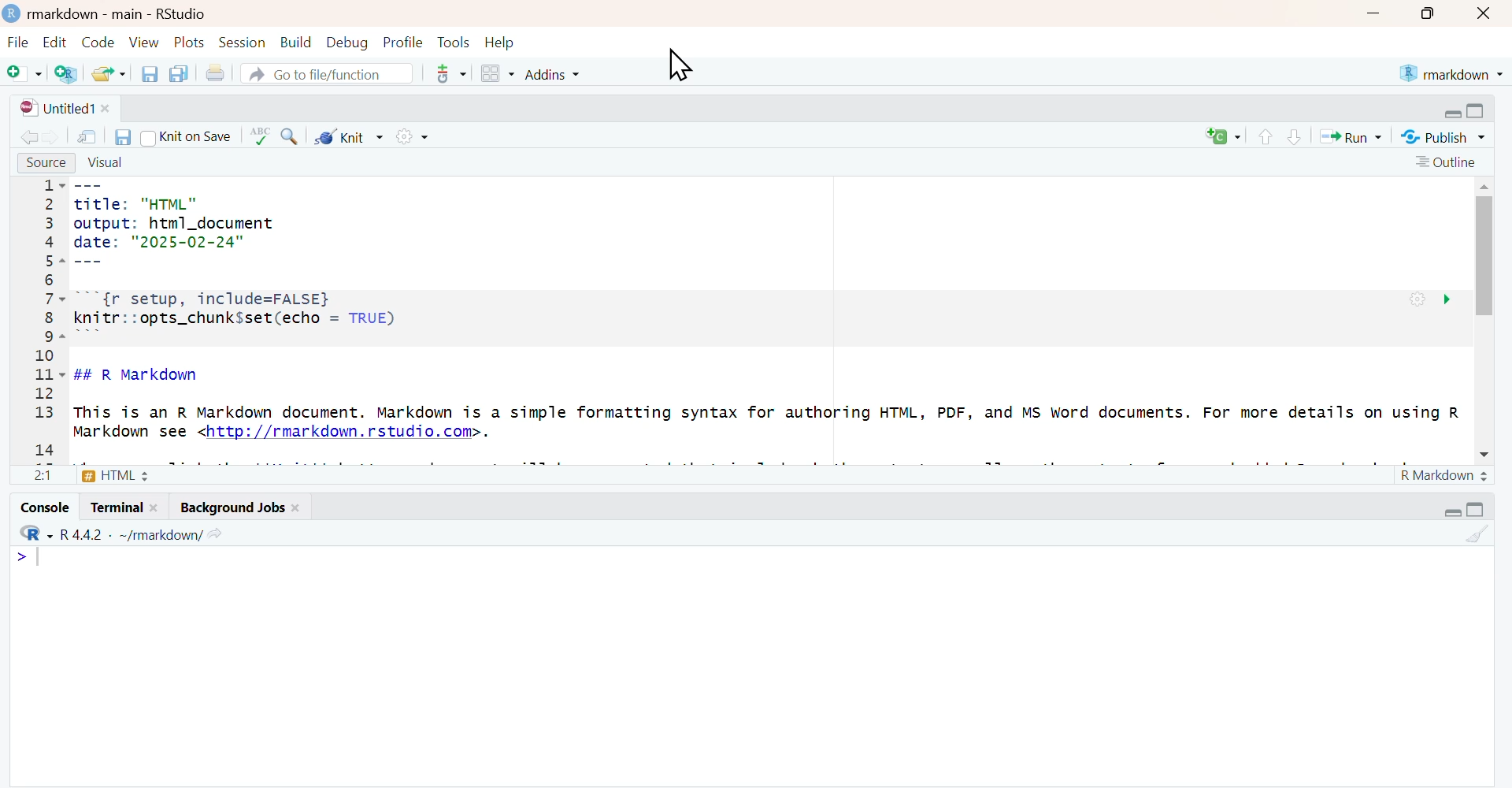 The height and width of the screenshot is (788, 1512). What do you see at coordinates (1373, 13) in the screenshot?
I see `minimize` at bounding box center [1373, 13].